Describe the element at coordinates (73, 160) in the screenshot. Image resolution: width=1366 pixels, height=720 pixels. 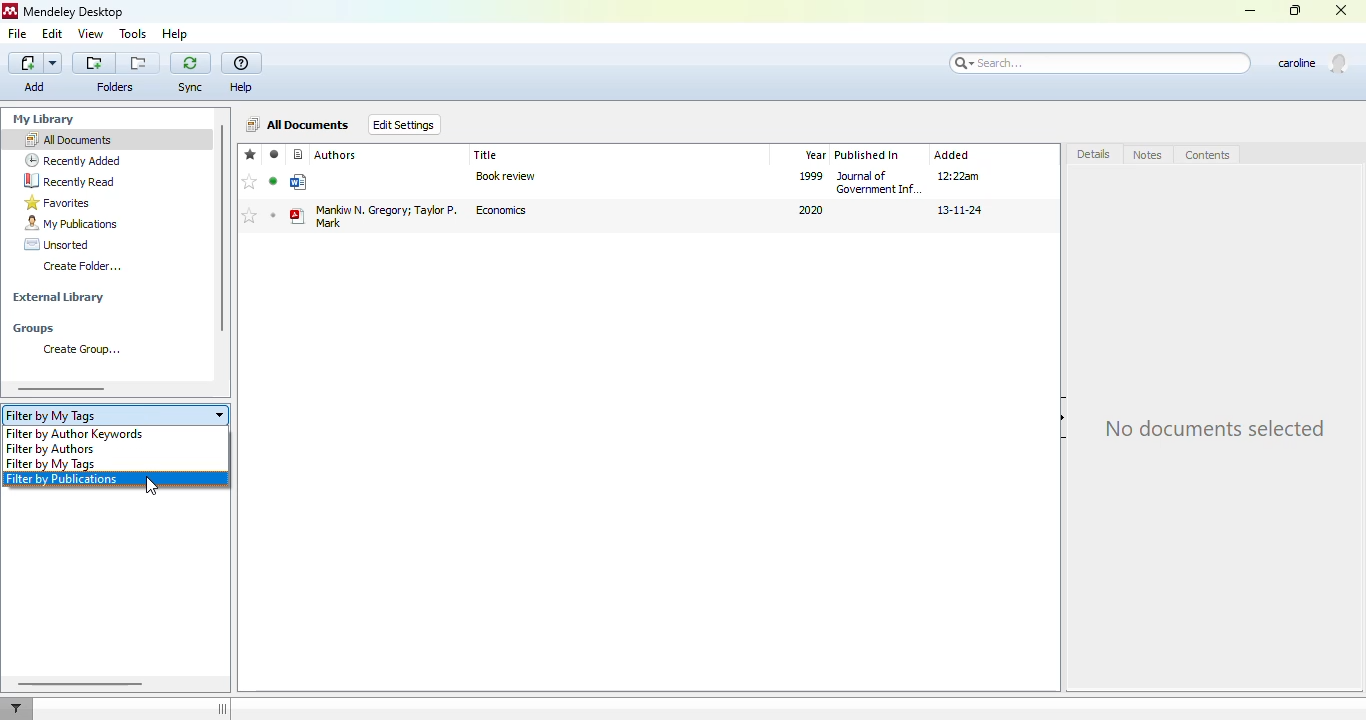
I see `recently added` at that location.